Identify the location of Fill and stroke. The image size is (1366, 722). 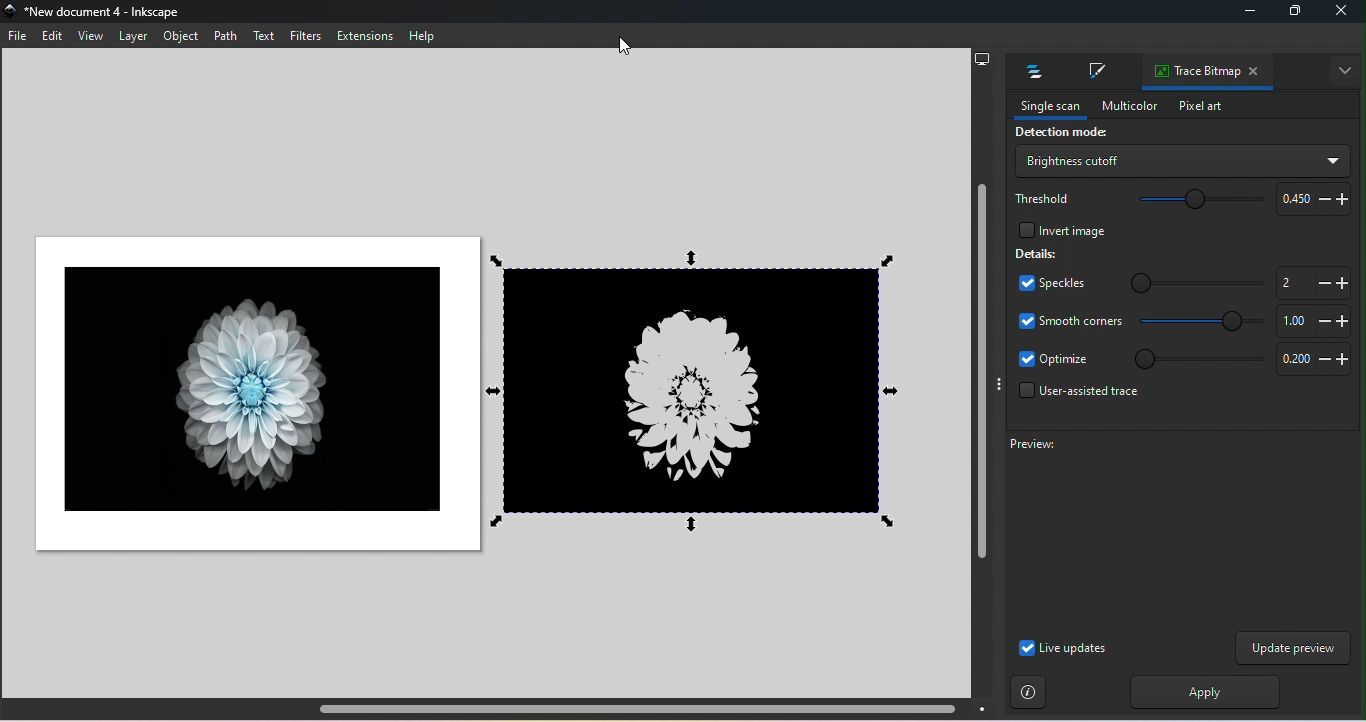
(1094, 73).